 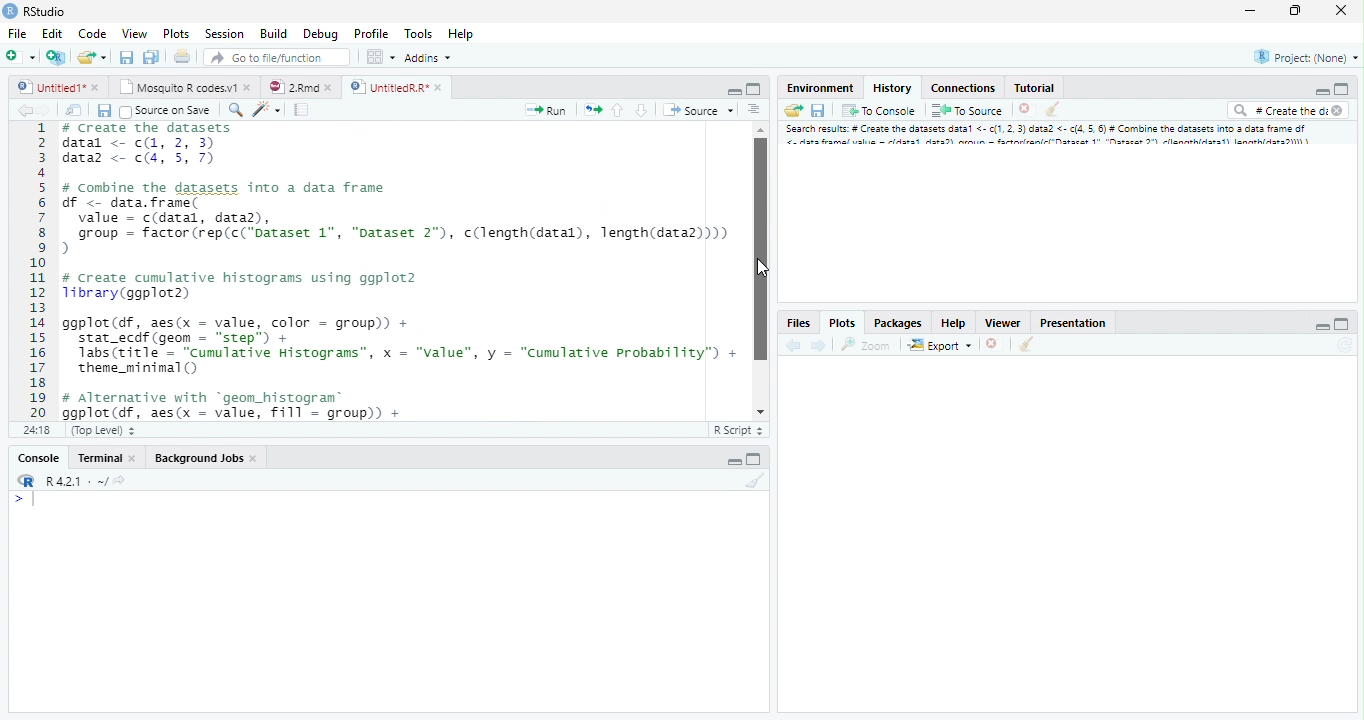 I want to click on Help, so click(x=953, y=322).